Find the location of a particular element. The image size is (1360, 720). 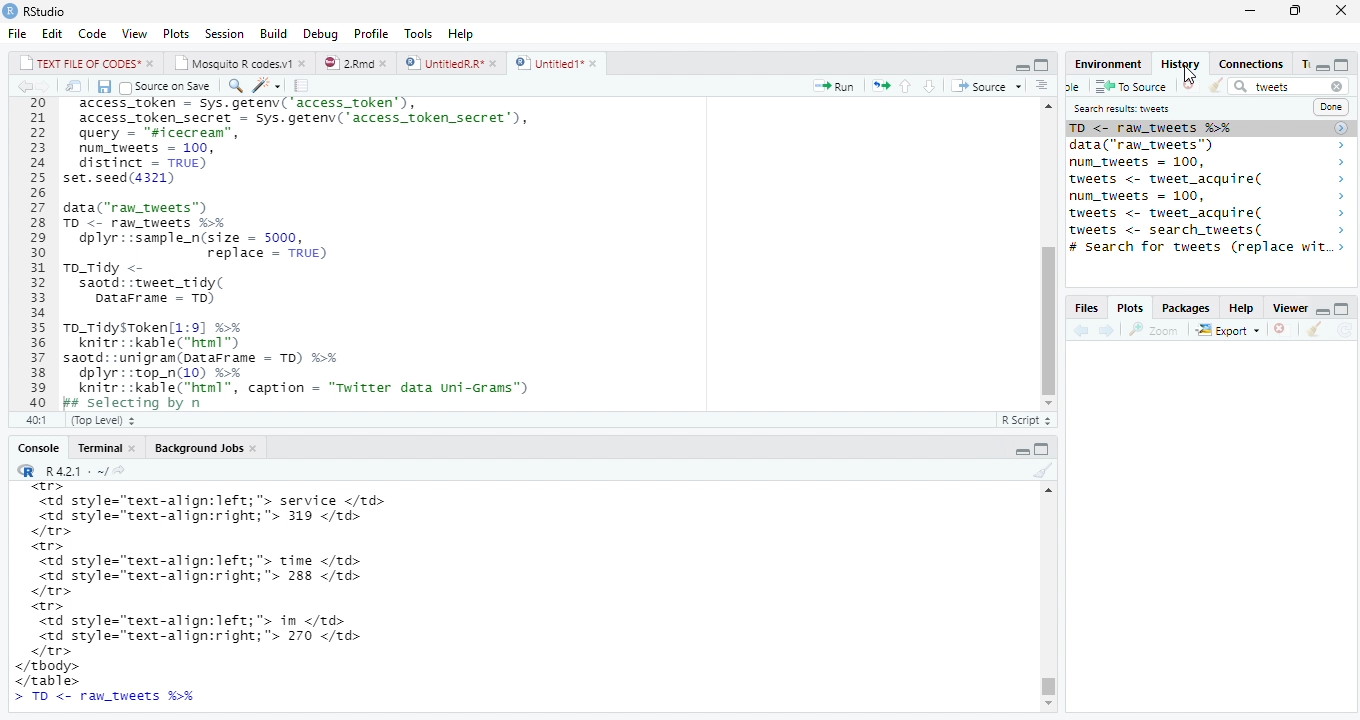

Build is located at coordinates (272, 32).